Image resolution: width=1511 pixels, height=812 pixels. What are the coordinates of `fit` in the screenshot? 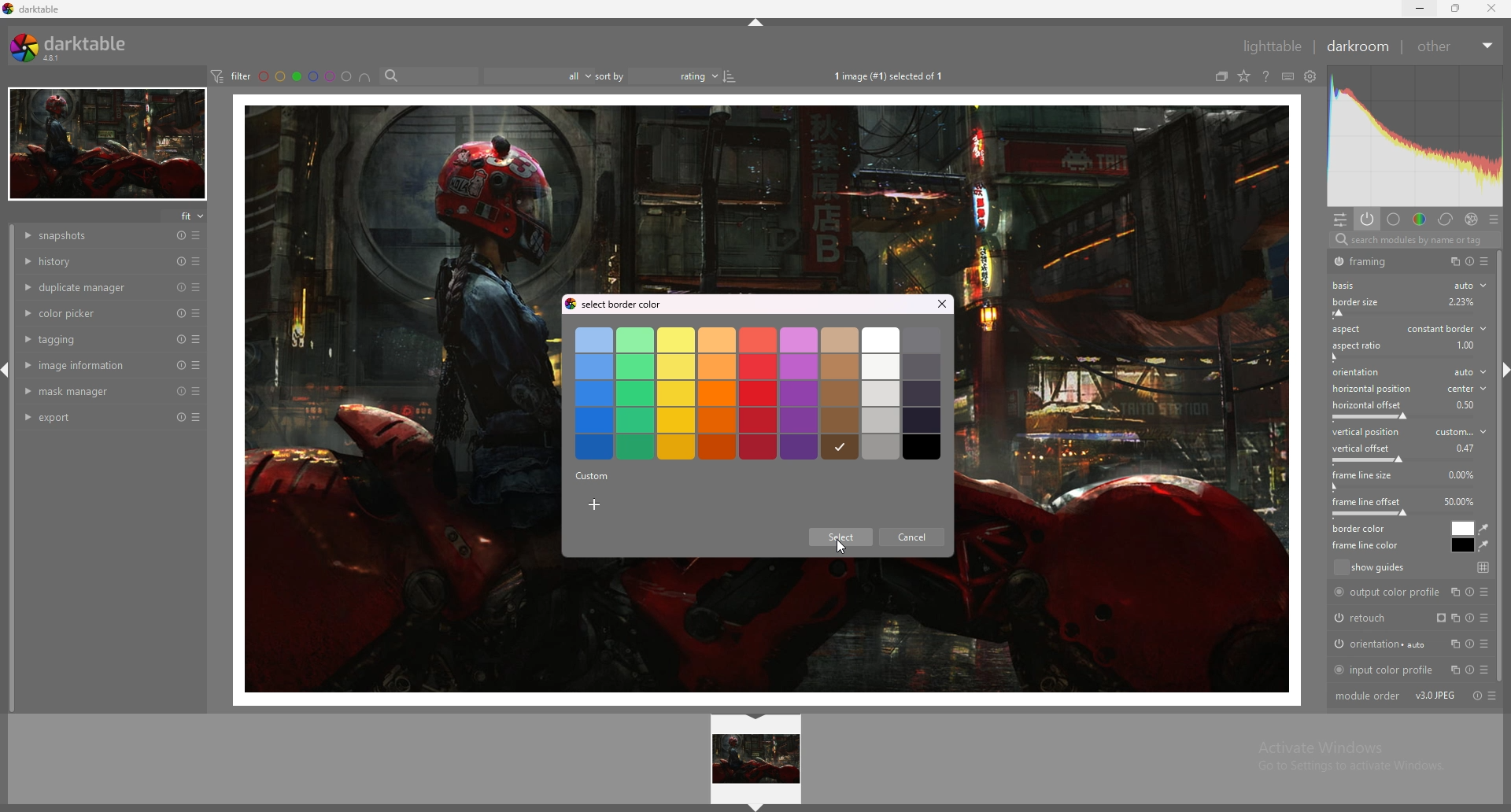 It's located at (186, 216).